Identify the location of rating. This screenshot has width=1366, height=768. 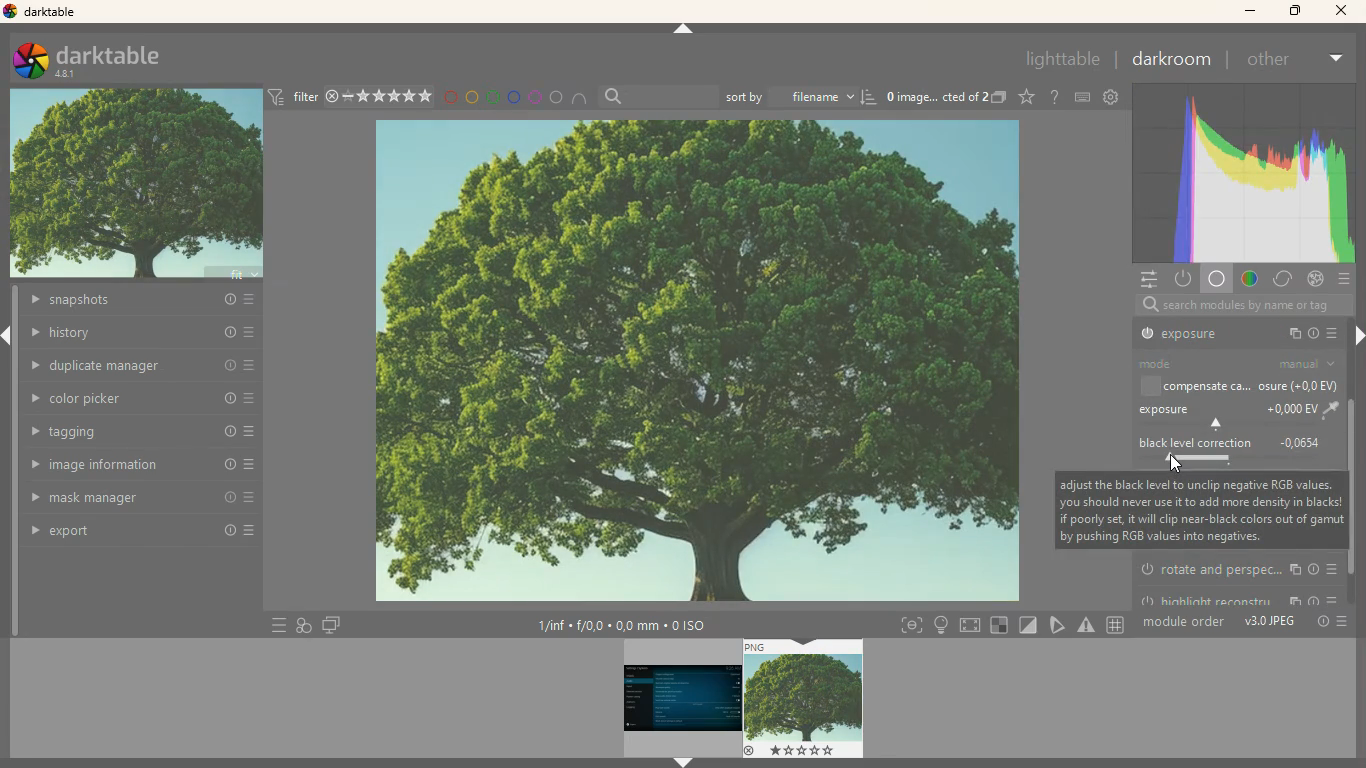
(387, 96).